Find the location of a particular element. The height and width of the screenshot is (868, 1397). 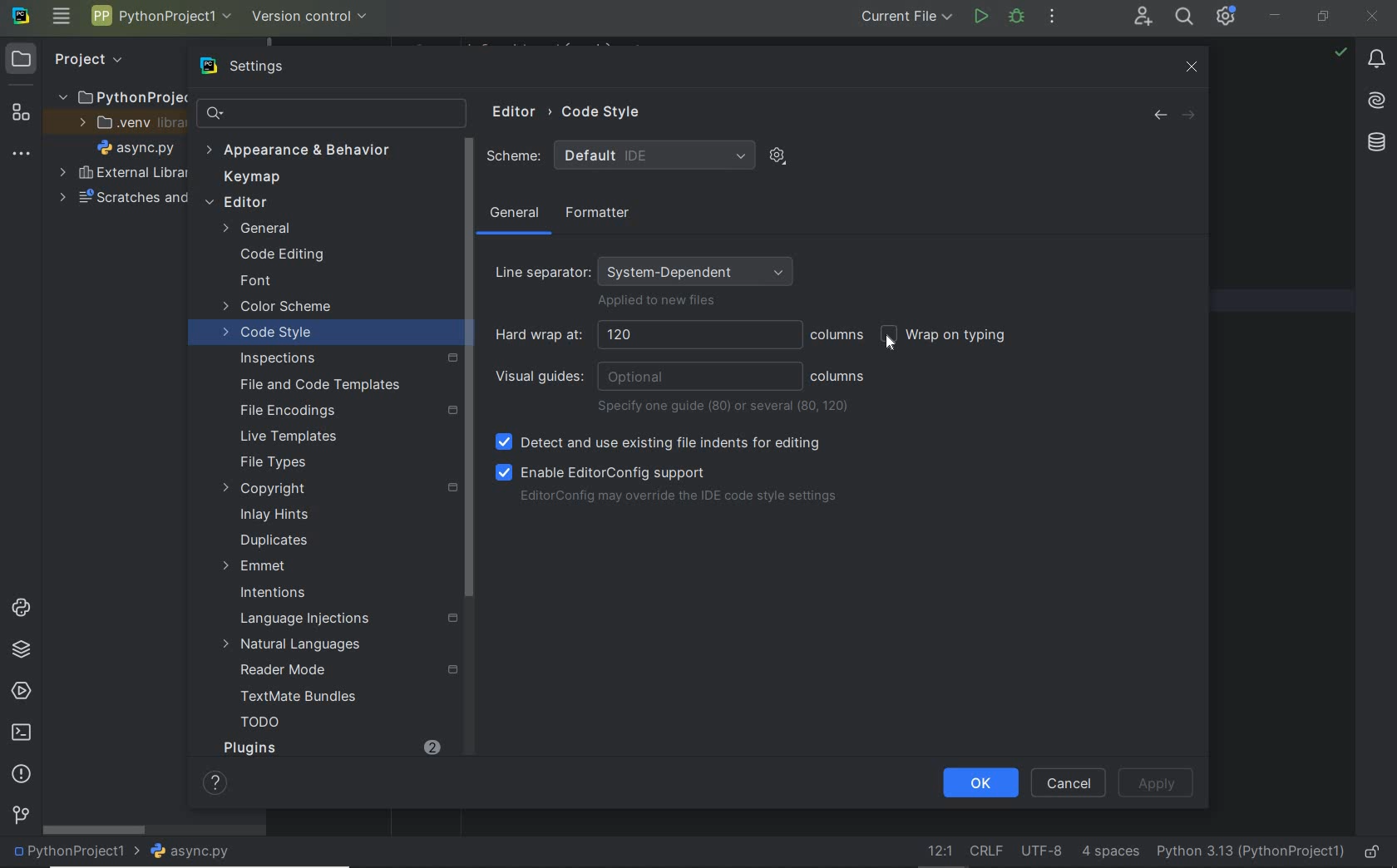

no problem is located at coordinates (1340, 52).